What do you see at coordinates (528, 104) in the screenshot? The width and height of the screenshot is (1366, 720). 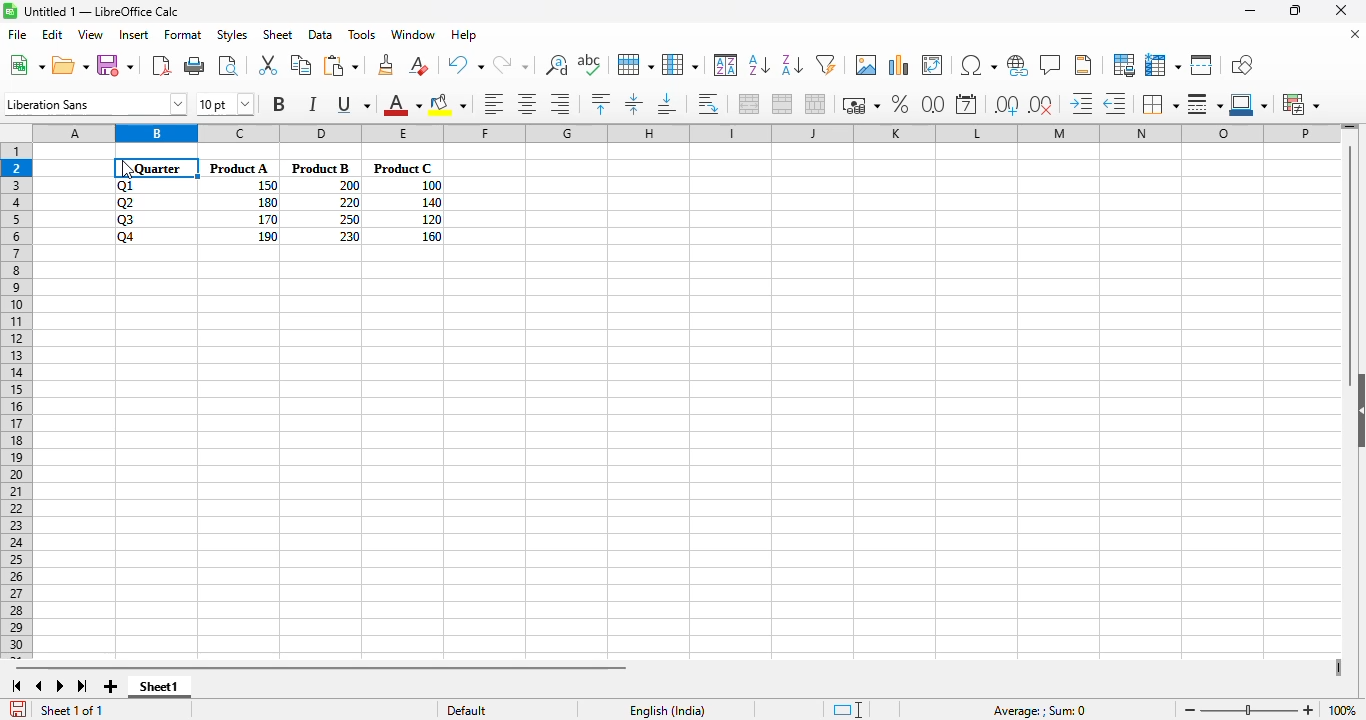 I see `align center` at bounding box center [528, 104].